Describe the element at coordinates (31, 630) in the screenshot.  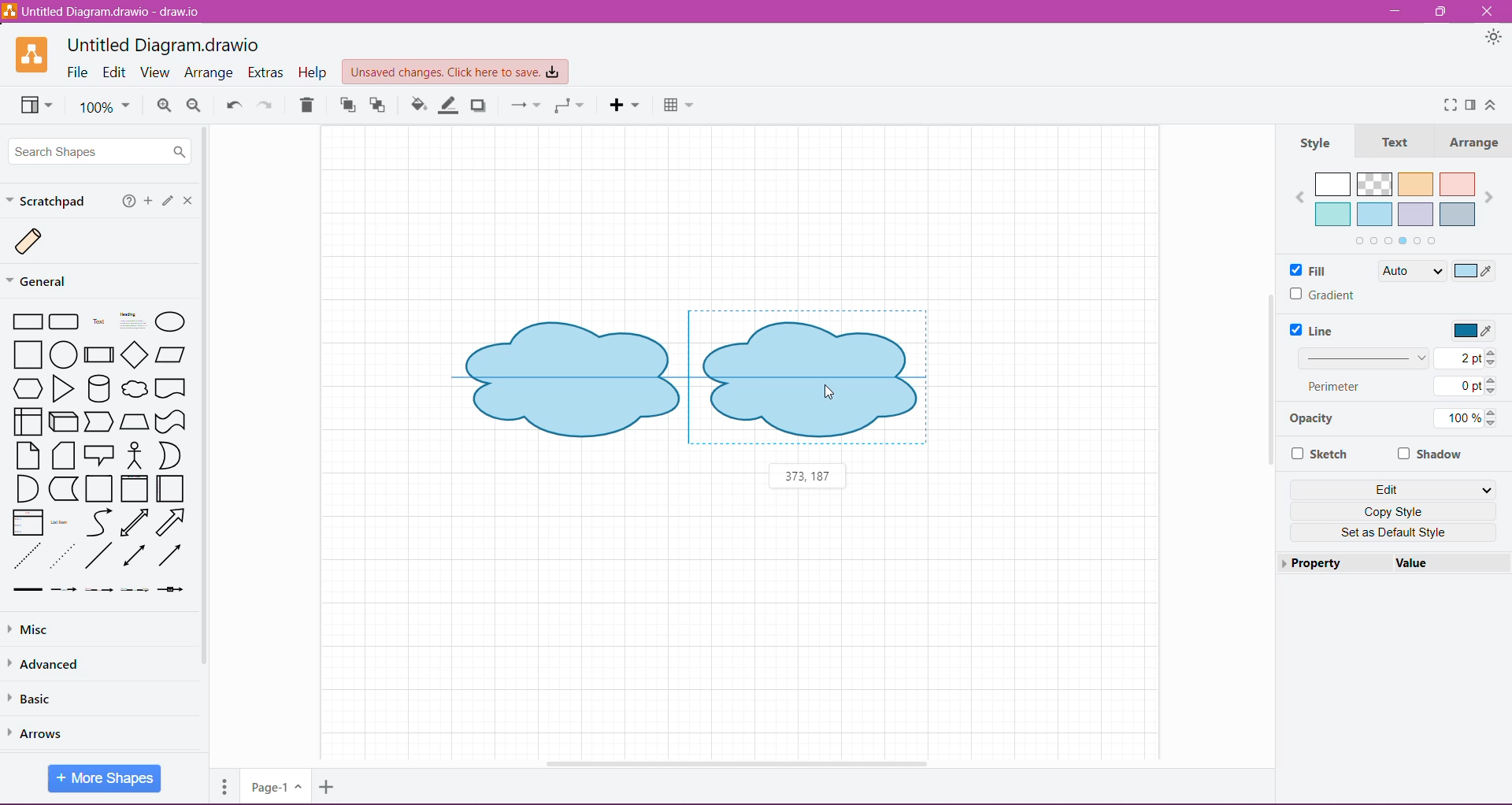
I see `Misc` at that location.